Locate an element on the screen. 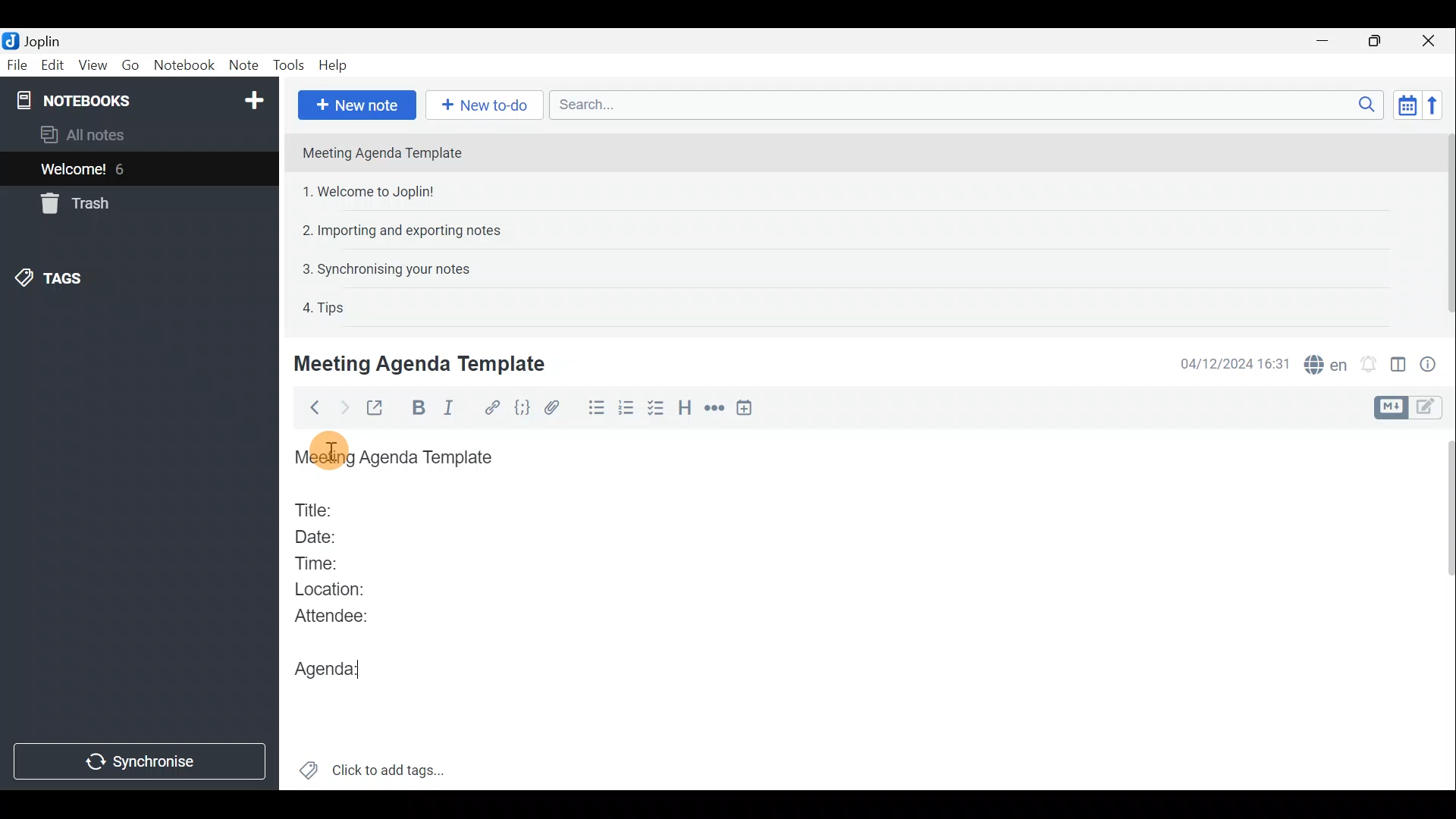 The image size is (1456, 819). Horizontal rule is located at coordinates (716, 410).